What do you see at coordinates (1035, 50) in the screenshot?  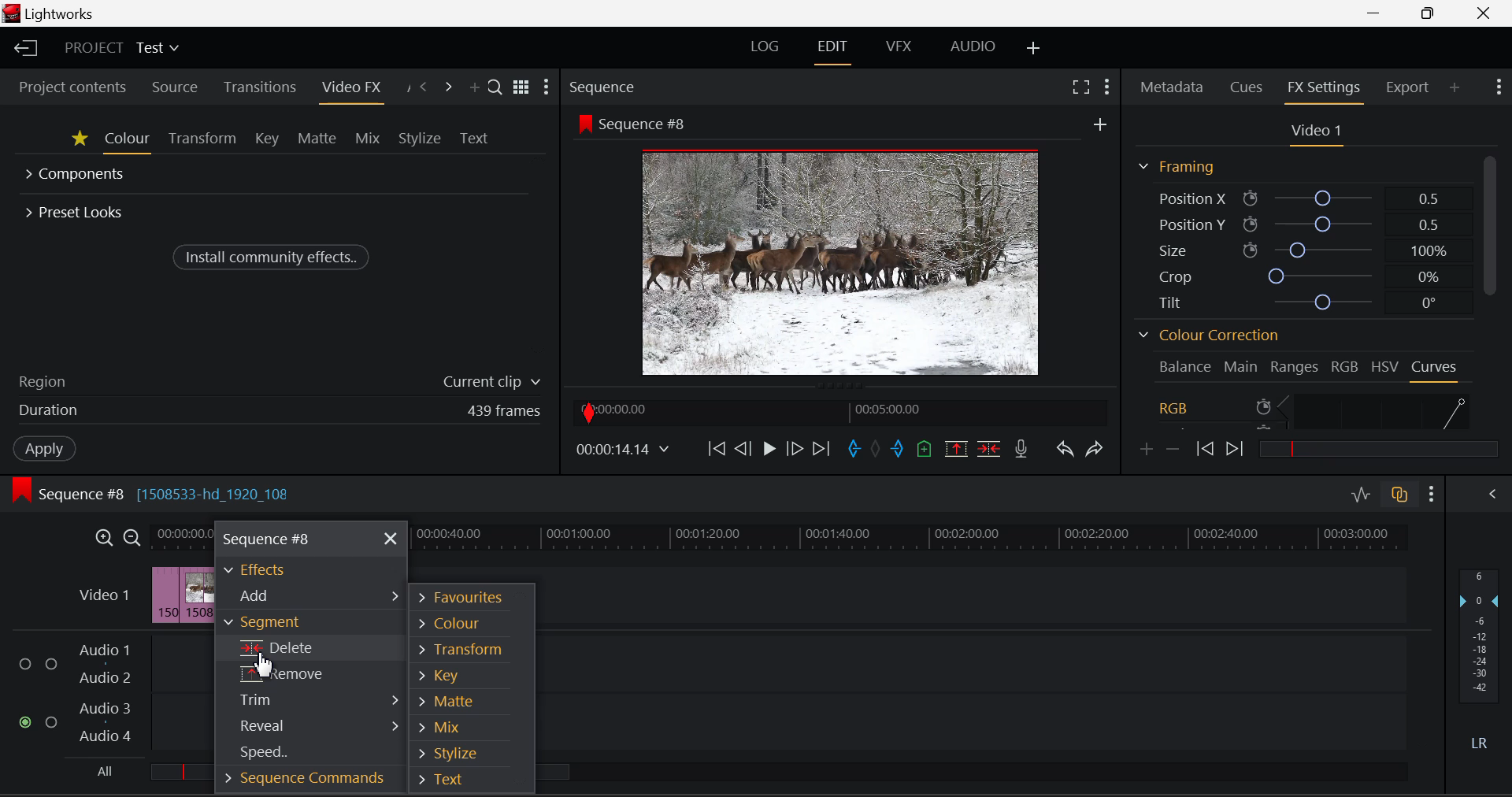 I see `Add Layout` at bounding box center [1035, 50].